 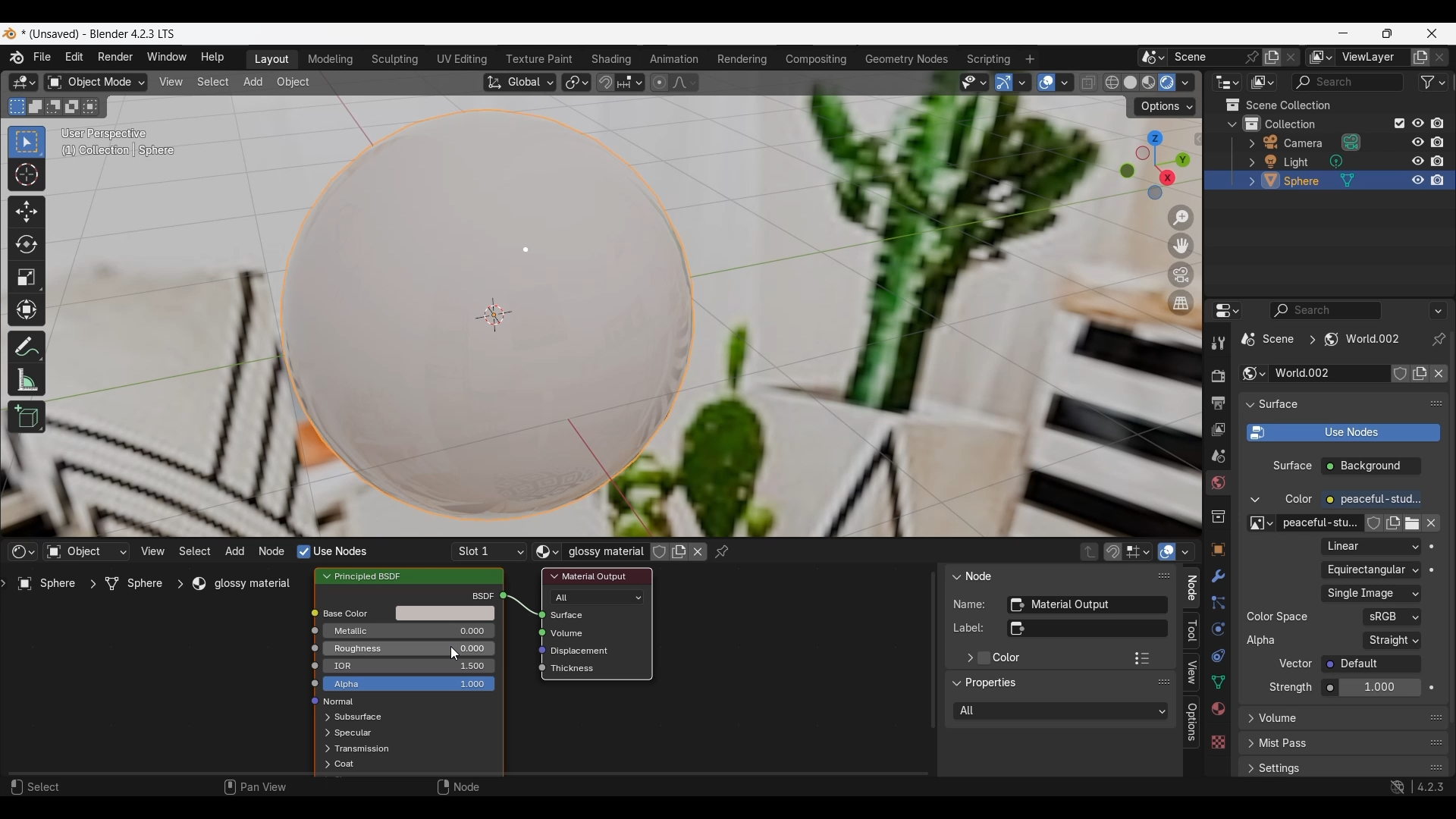 What do you see at coordinates (1371, 664) in the screenshot?
I see `Vector` at bounding box center [1371, 664].